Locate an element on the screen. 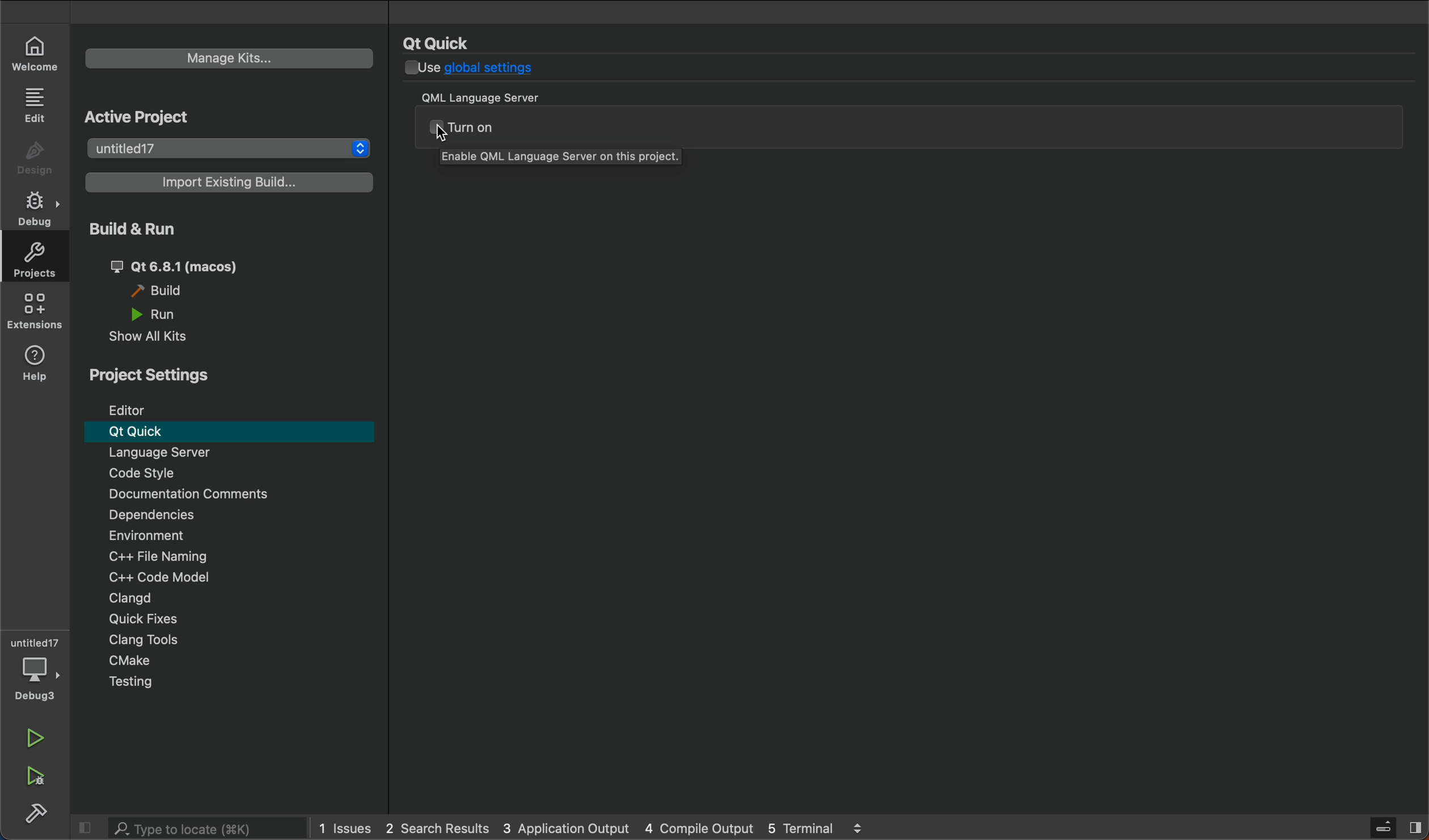 This screenshot has width=1429, height=840. build is located at coordinates (39, 813).